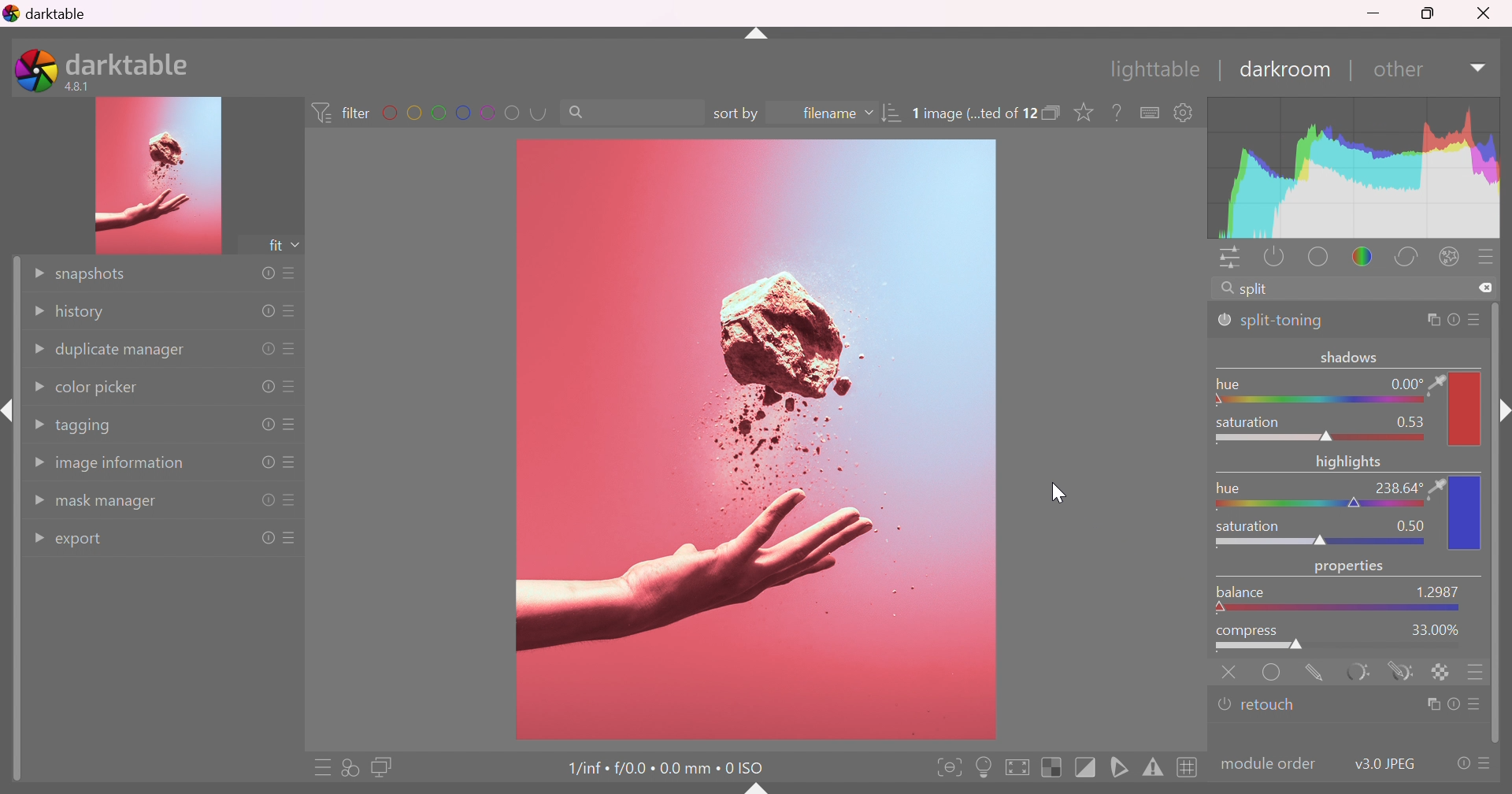 This screenshot has width=1512, height=794. Describe the element at coordinates (159, 176) in the screenshot. I see `image` at that location.